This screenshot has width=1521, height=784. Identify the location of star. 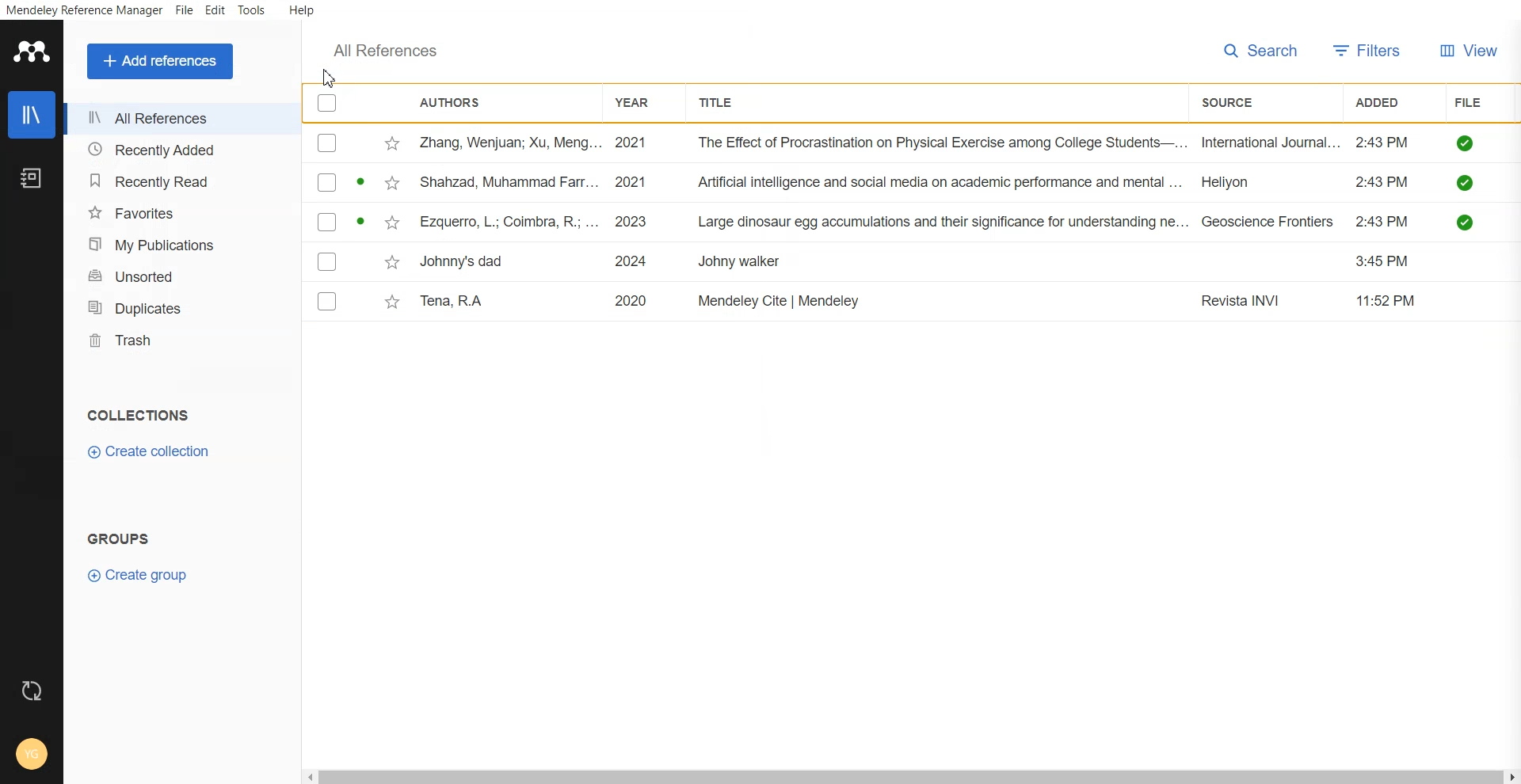
(390, 303).